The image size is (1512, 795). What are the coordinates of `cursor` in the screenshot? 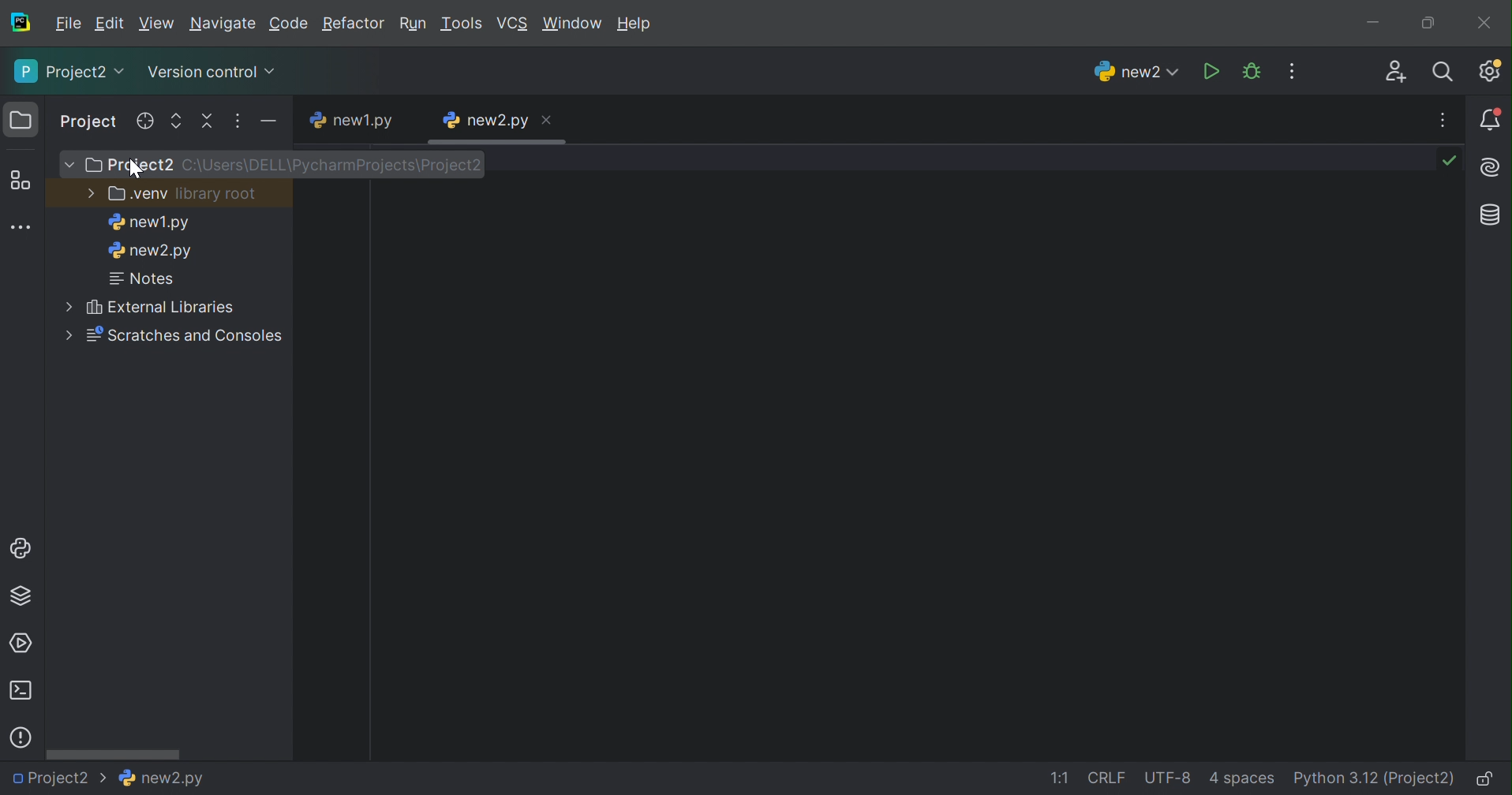 It's located at (131, 169).